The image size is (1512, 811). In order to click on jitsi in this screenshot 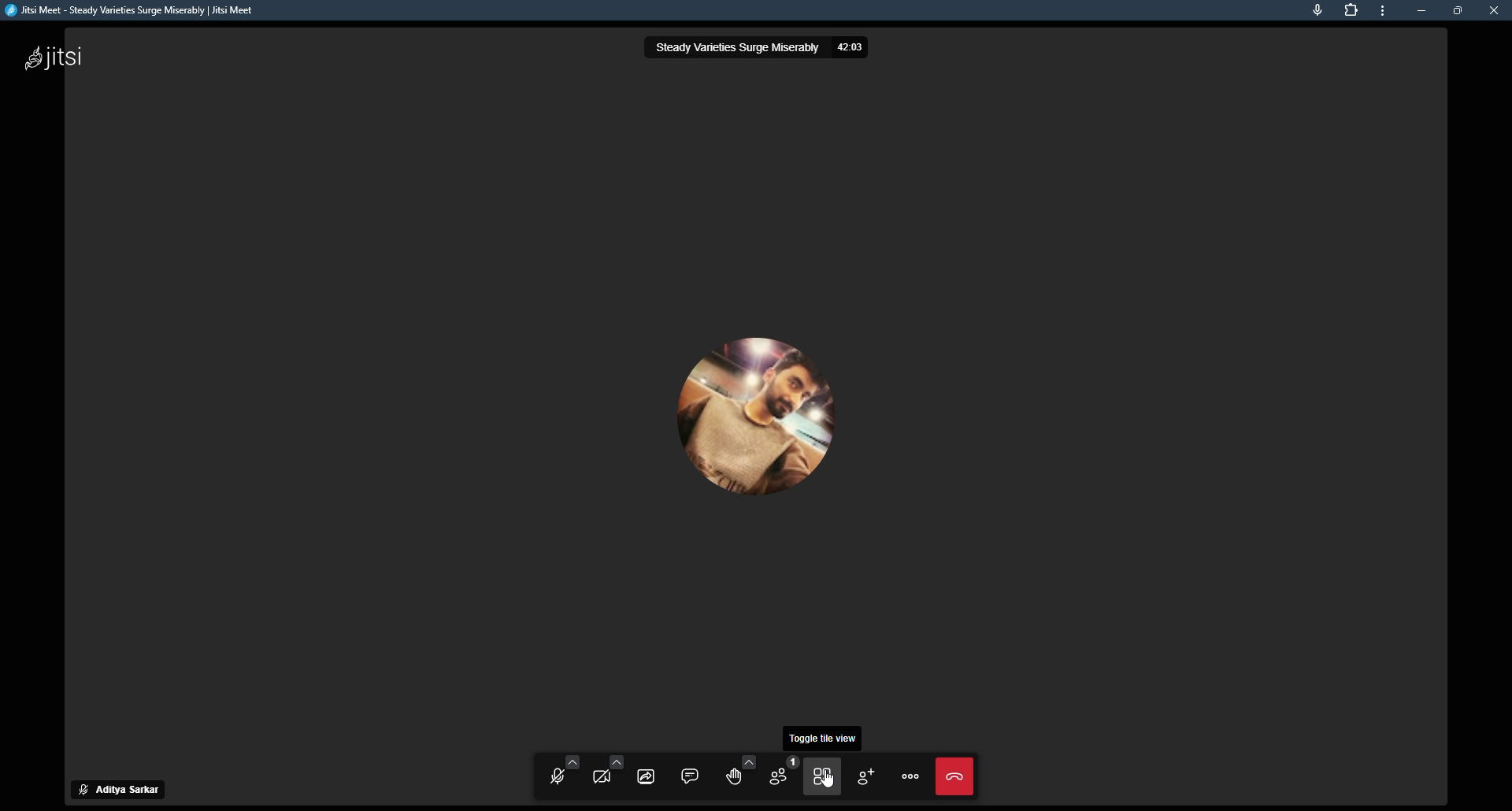, I will do `click(62, 61)`.